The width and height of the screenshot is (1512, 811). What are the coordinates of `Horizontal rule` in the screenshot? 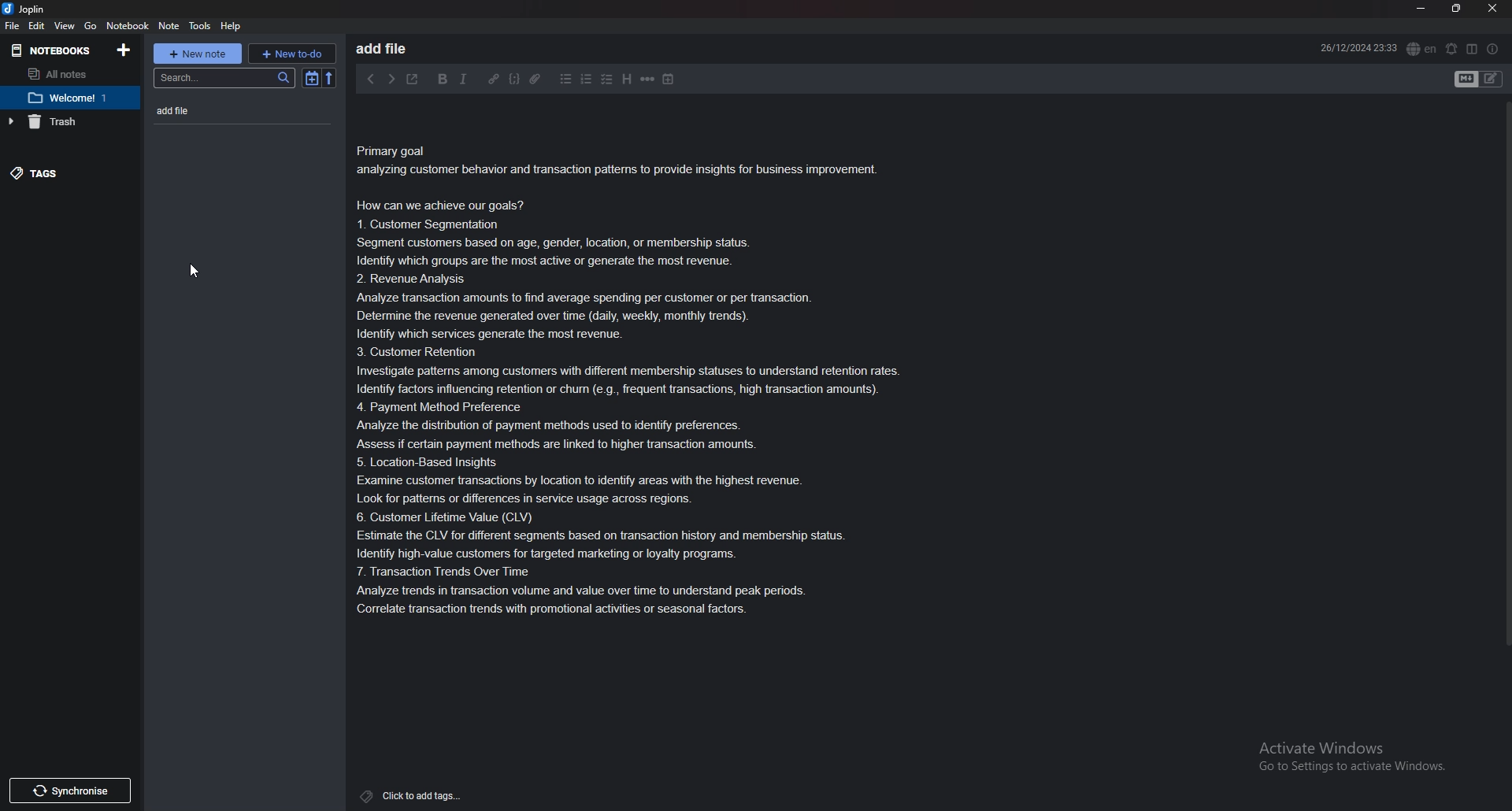 It's located at (648, 79).